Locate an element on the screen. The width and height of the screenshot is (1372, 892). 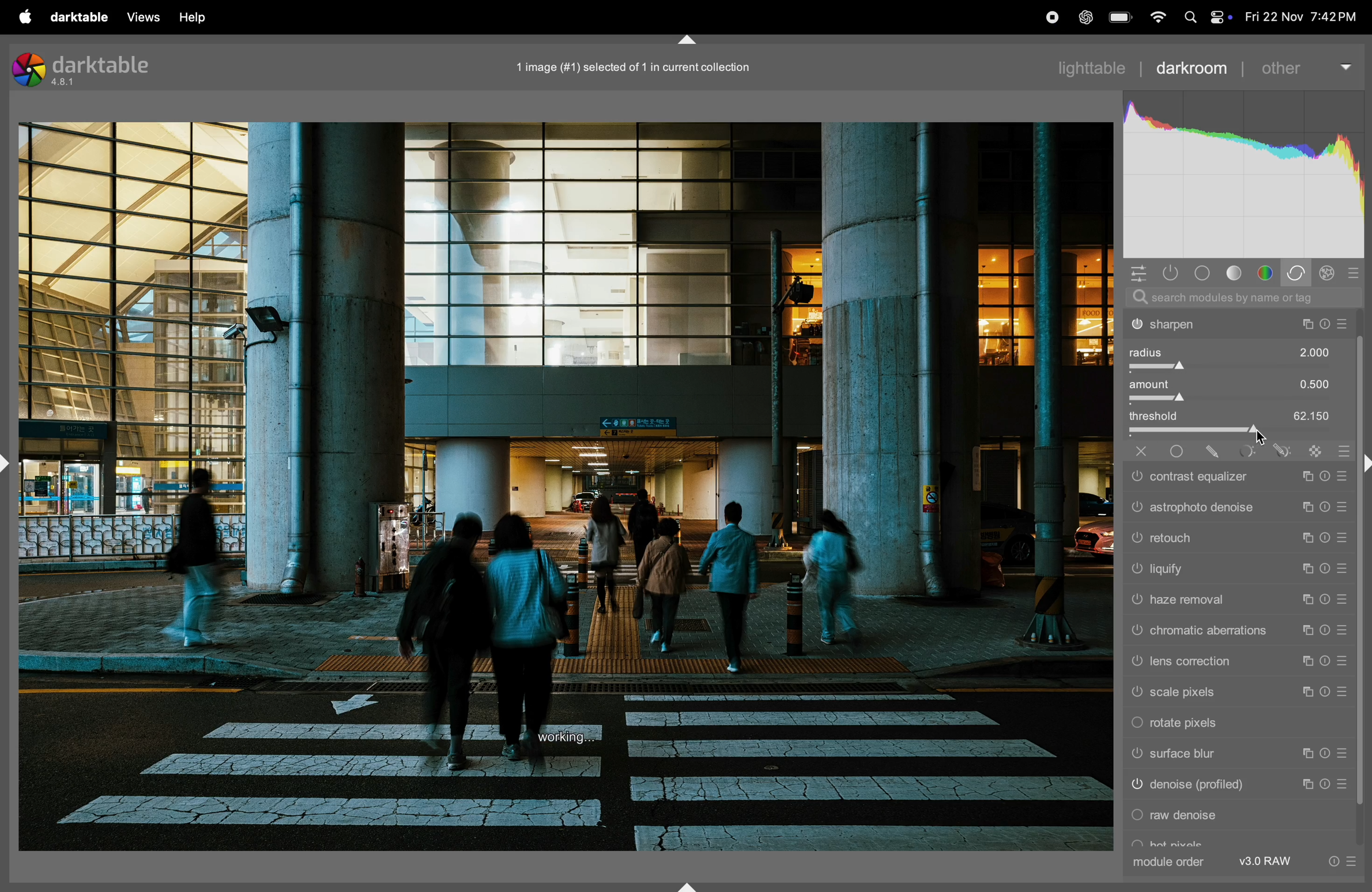
date and time is located at coordinates (1302, 14).